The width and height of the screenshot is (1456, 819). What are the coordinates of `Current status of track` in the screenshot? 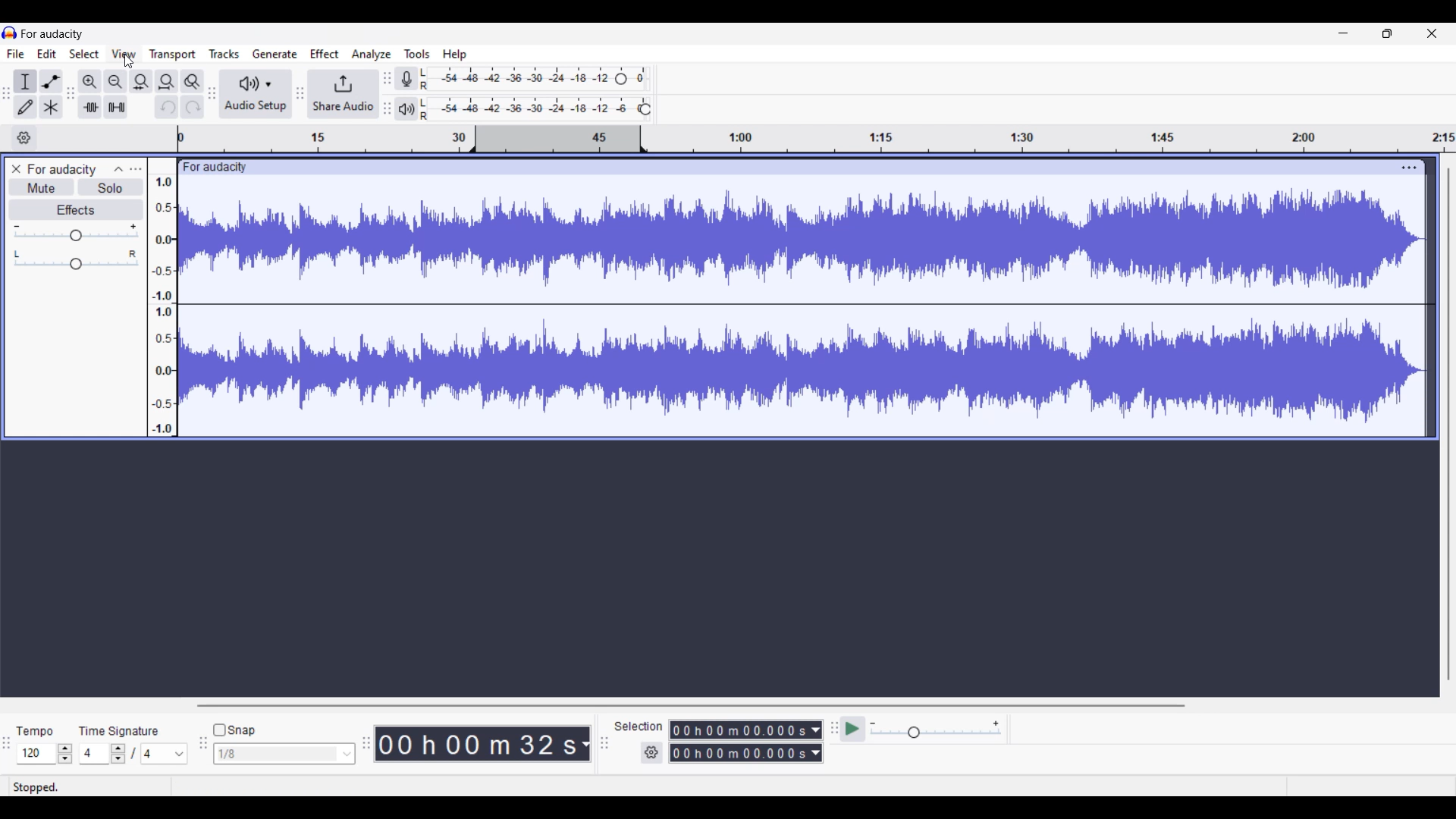 It's located at (36, 786).